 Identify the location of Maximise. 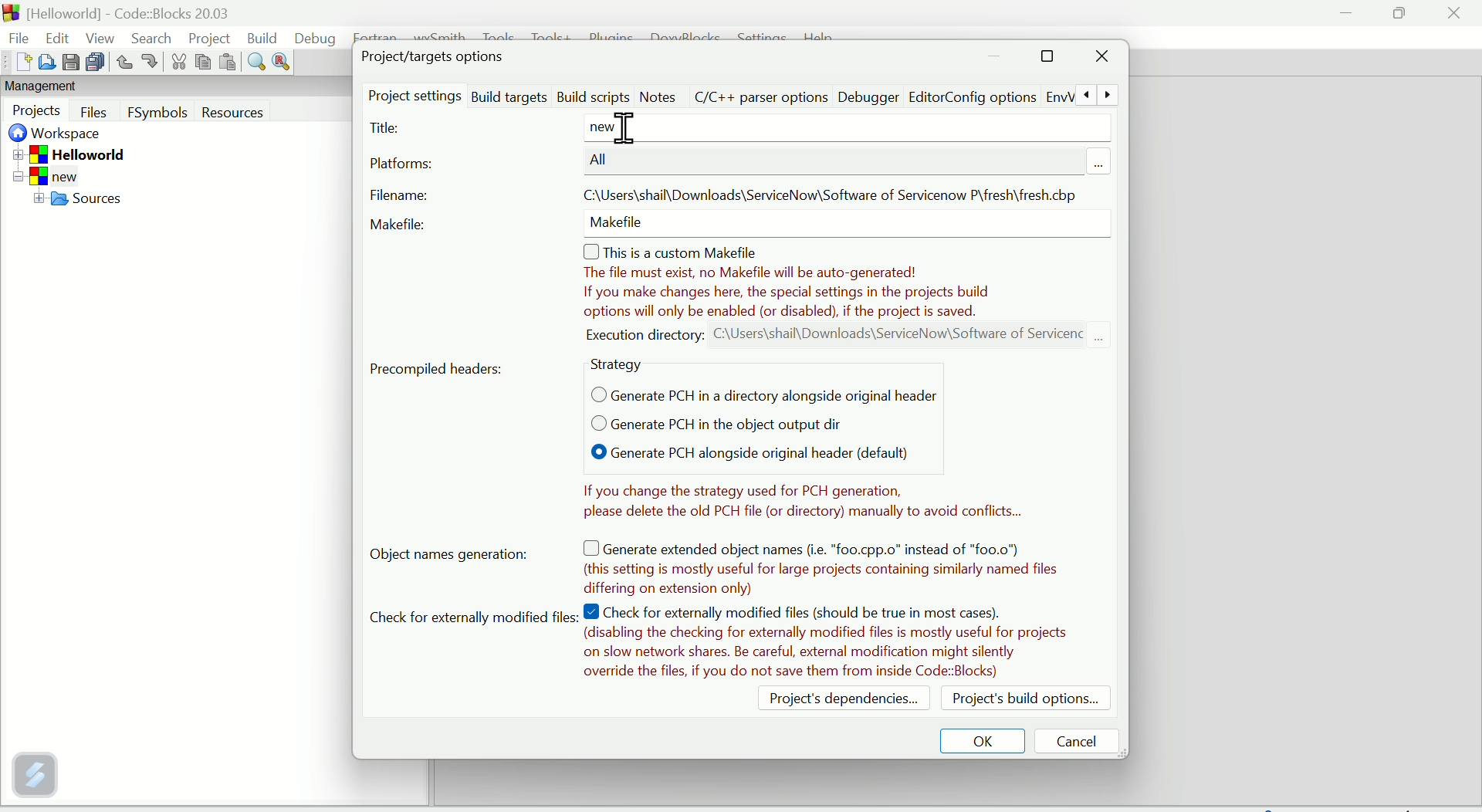
(1402, 14).